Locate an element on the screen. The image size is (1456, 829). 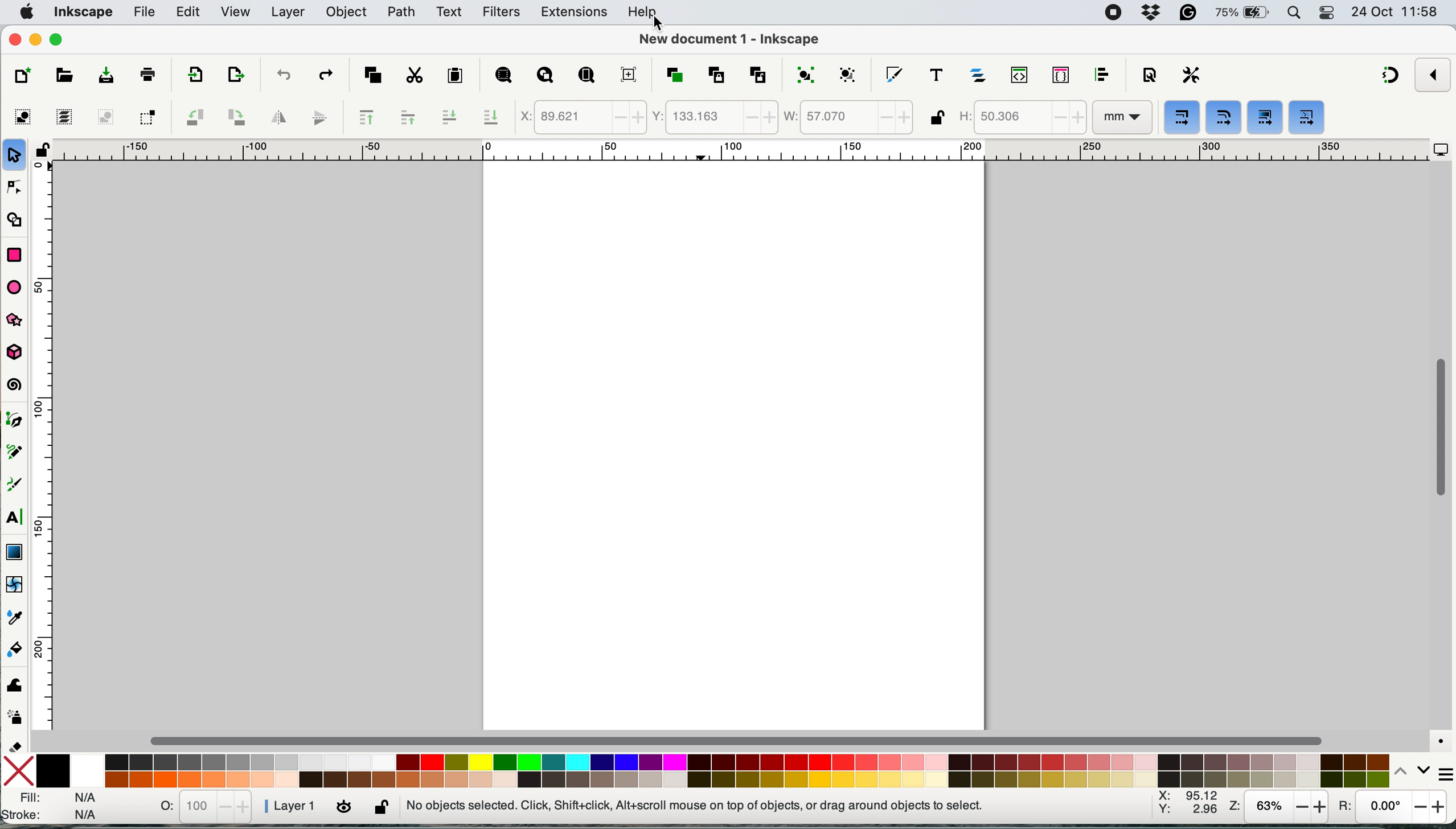
fill stroke is located at coordinates (59, 797).